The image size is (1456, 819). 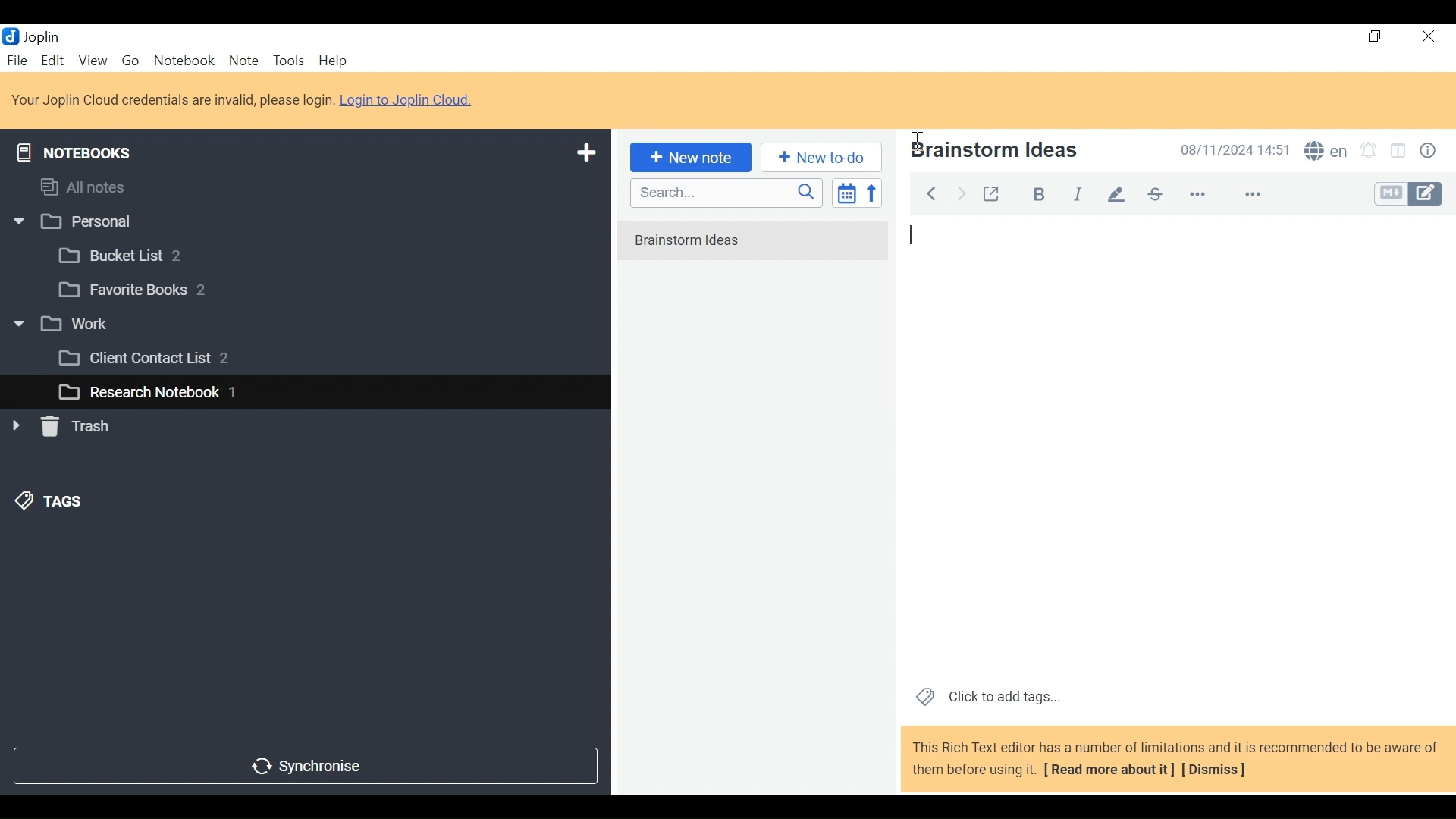 I want to click on All notes, so click(x=97, y=184).